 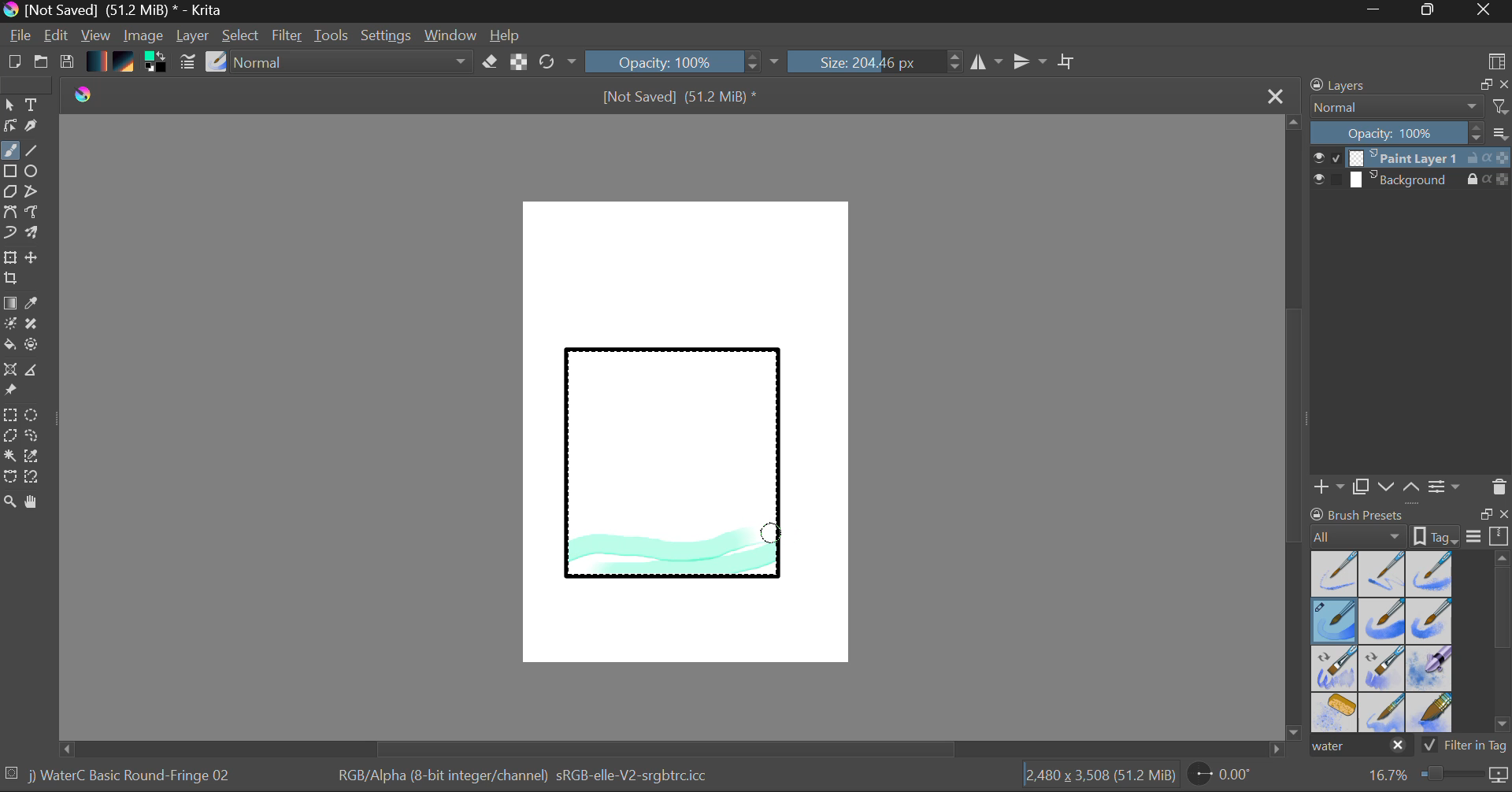 What do you see at coordinates (387, 35) in the screenshot?
I see `Settings` at bounding box center [387, 35].